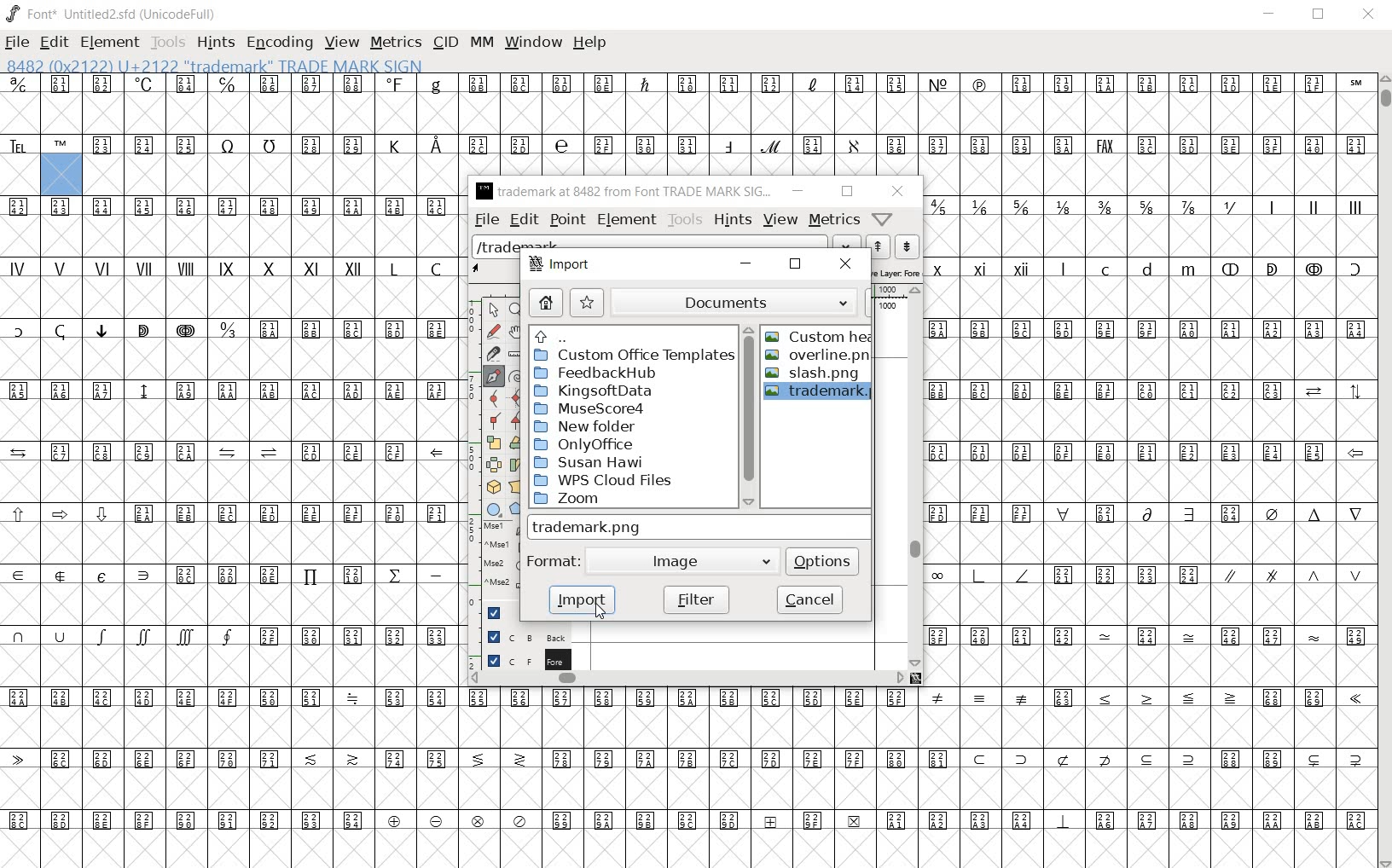 The width and height of the screenshot is (1392, 868). I want to click on MINIMIZE, so click(1269, 13).